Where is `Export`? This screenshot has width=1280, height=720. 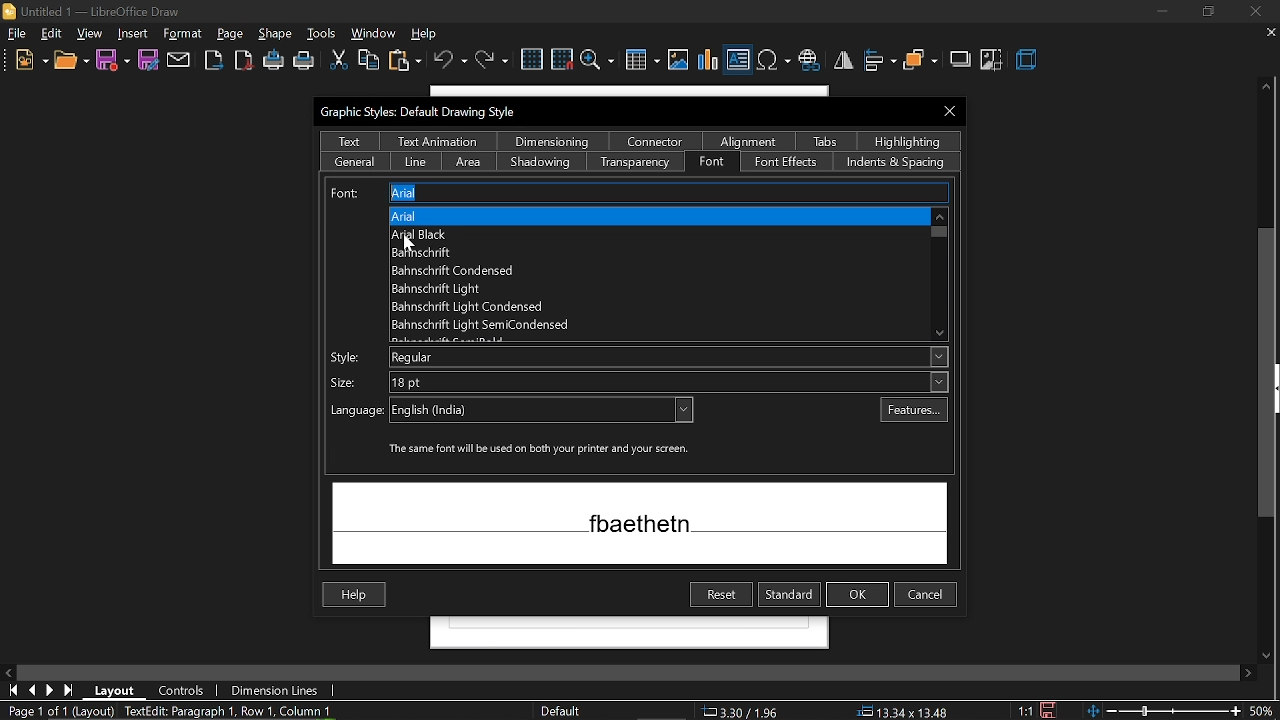
Export is located at coordinates (214, 59).